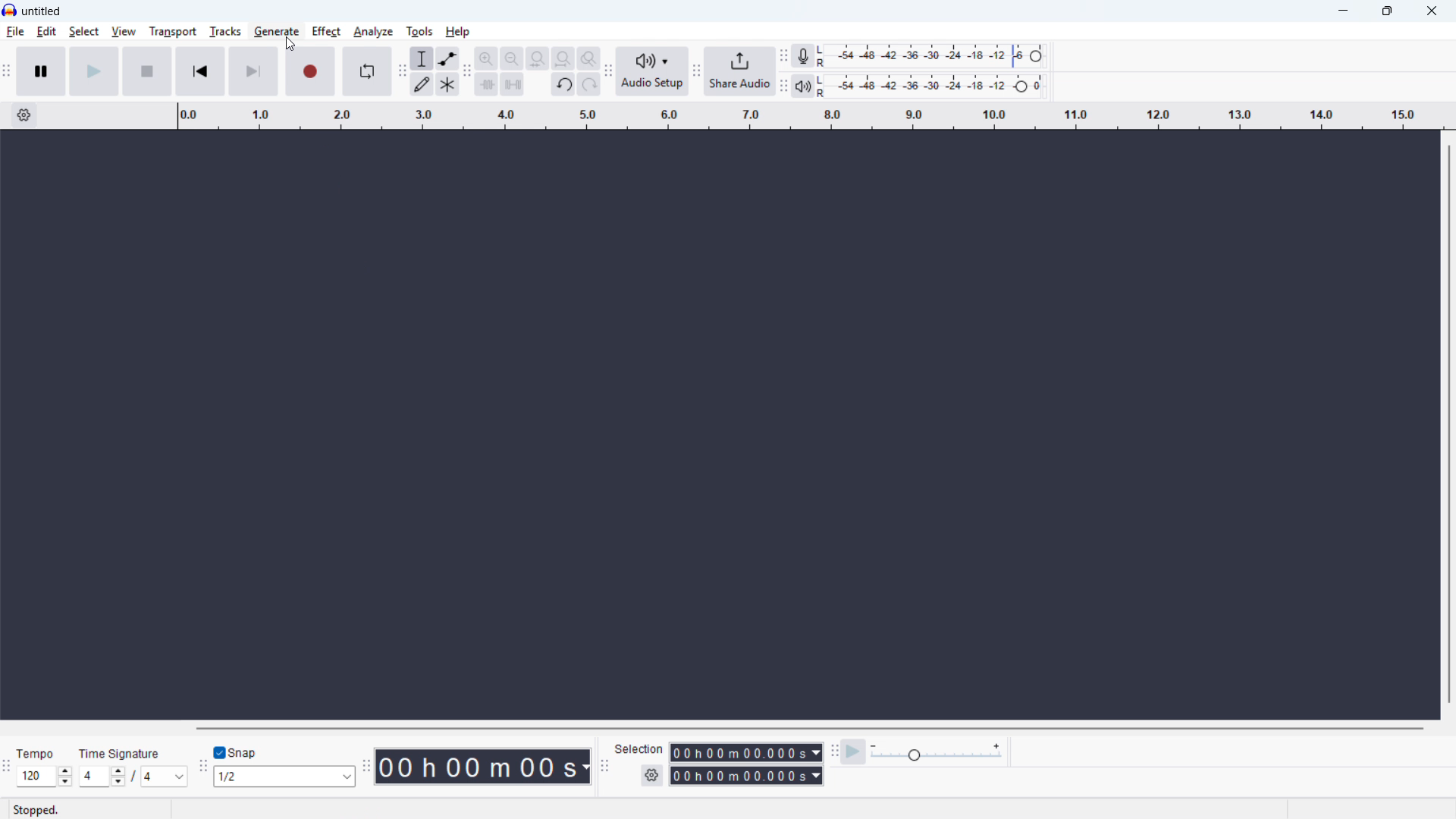  Describe the element at coordinates (588, 58) in the screenshot. I see `Toggle zoom ` at that location.